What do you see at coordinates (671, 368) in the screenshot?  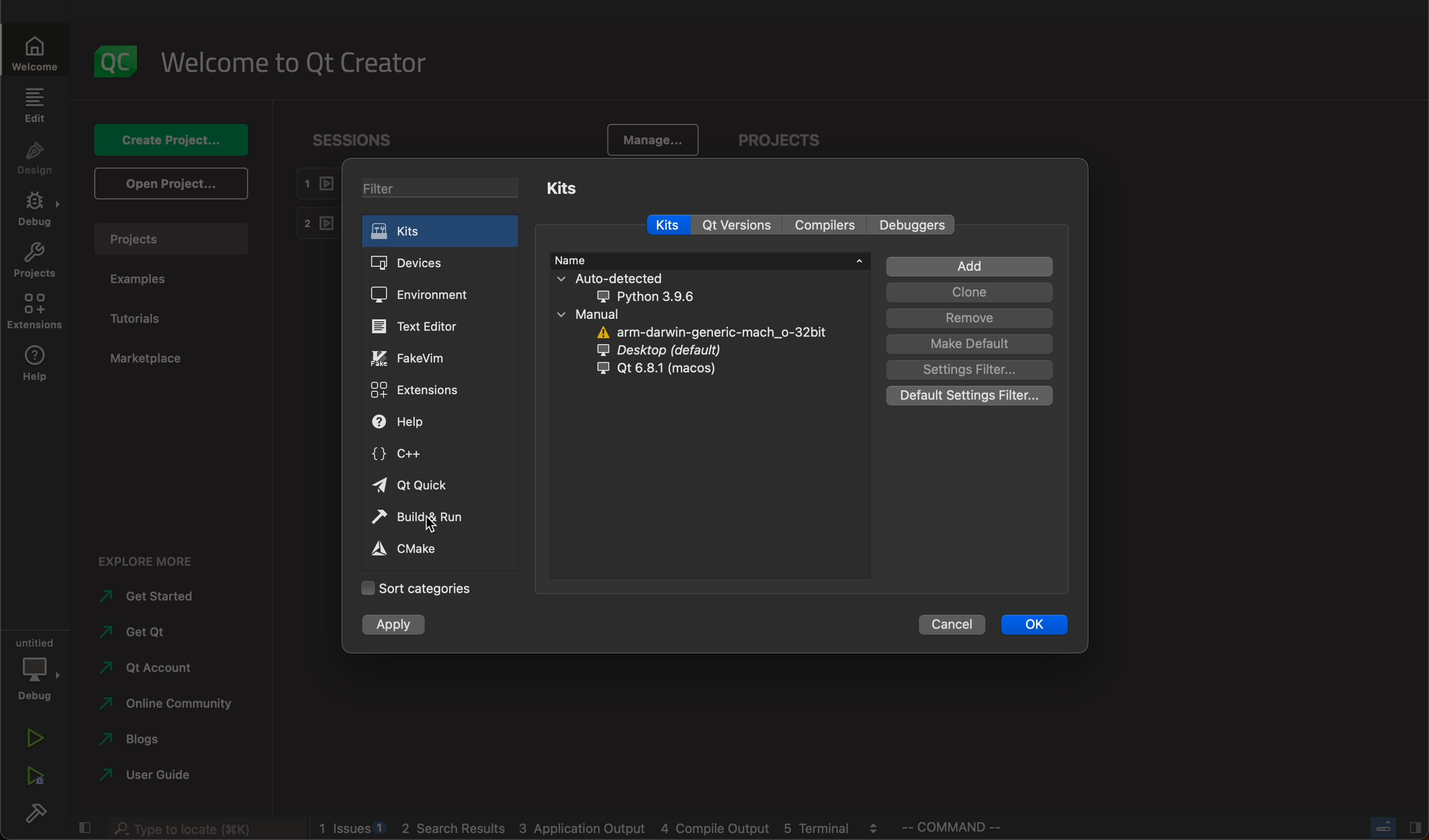 I see `qt` at bounding box center [671, 368].